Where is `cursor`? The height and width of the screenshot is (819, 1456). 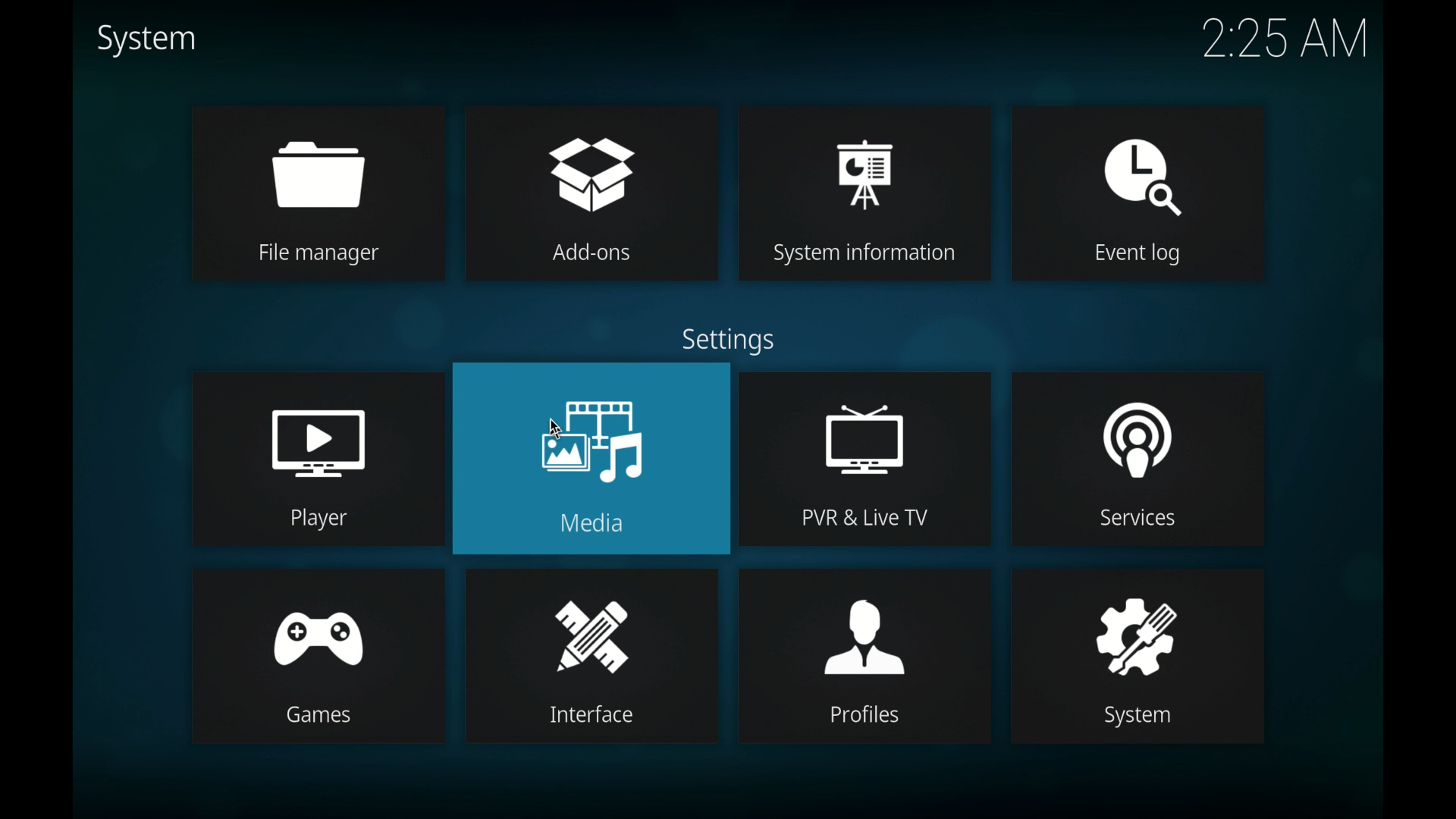
cursor is located at coordinates (554, 426).